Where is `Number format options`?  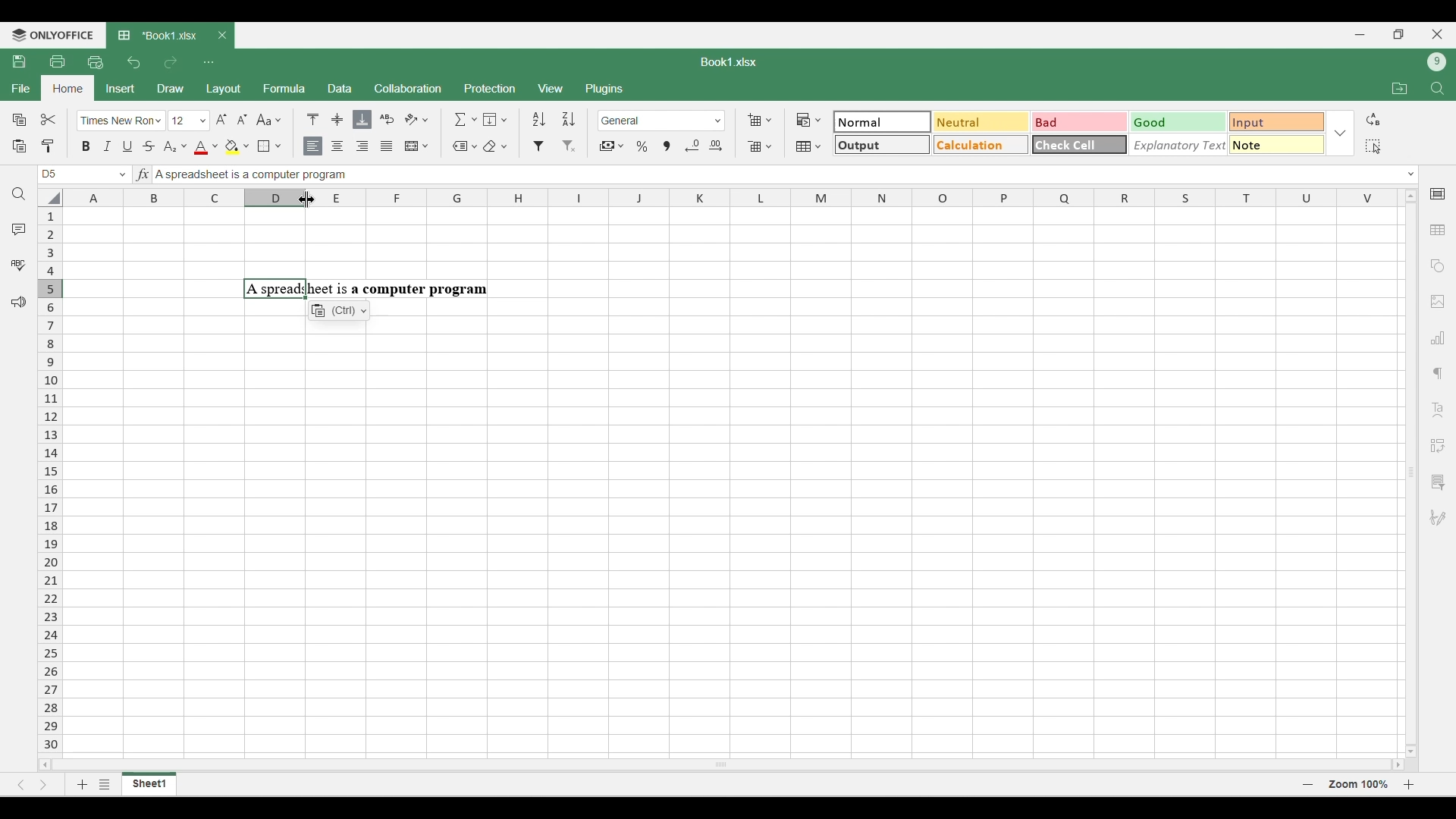
Number format options is located at coordinates (662, 121).